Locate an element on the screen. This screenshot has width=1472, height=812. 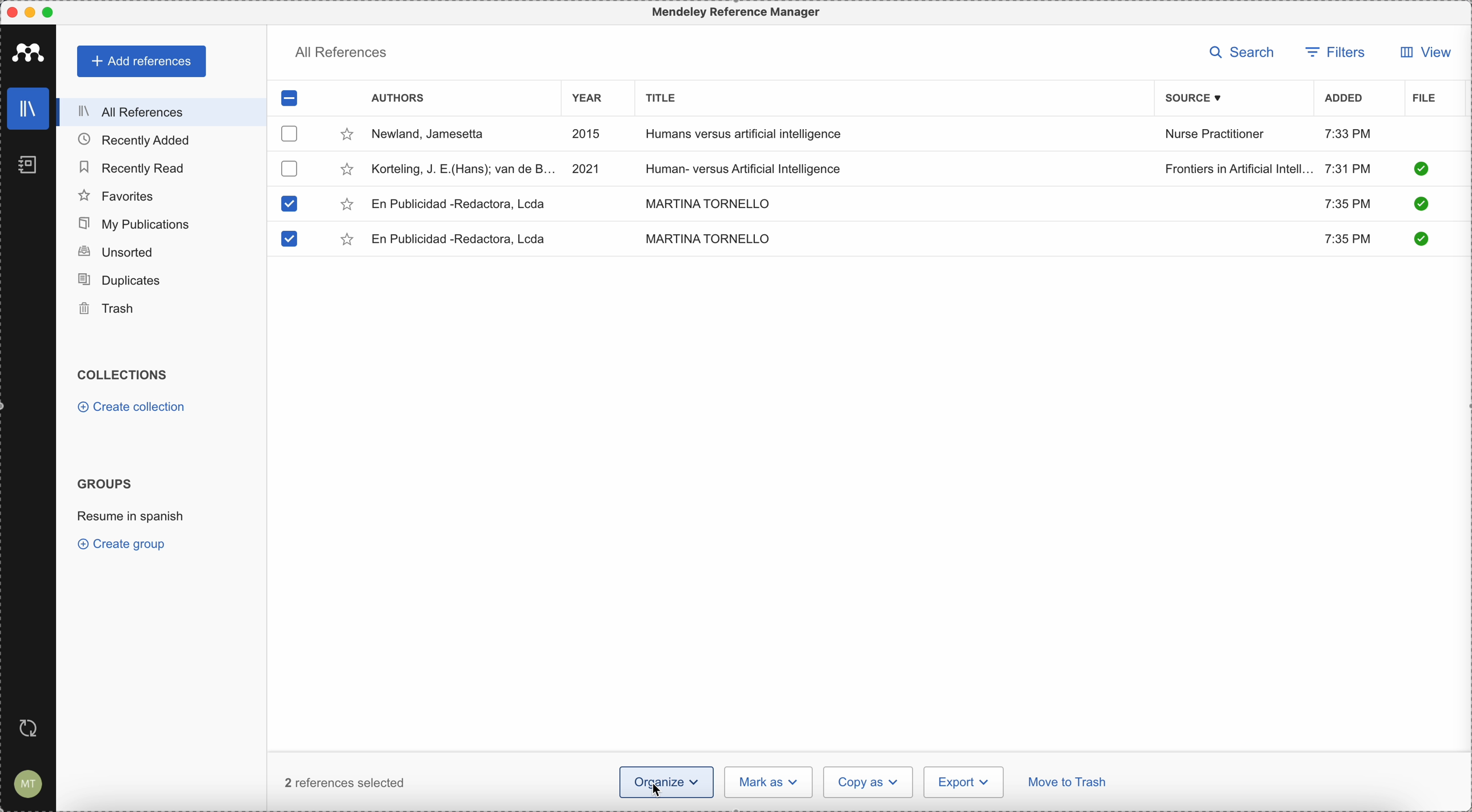
favorite is located at coordinates (346, 205).